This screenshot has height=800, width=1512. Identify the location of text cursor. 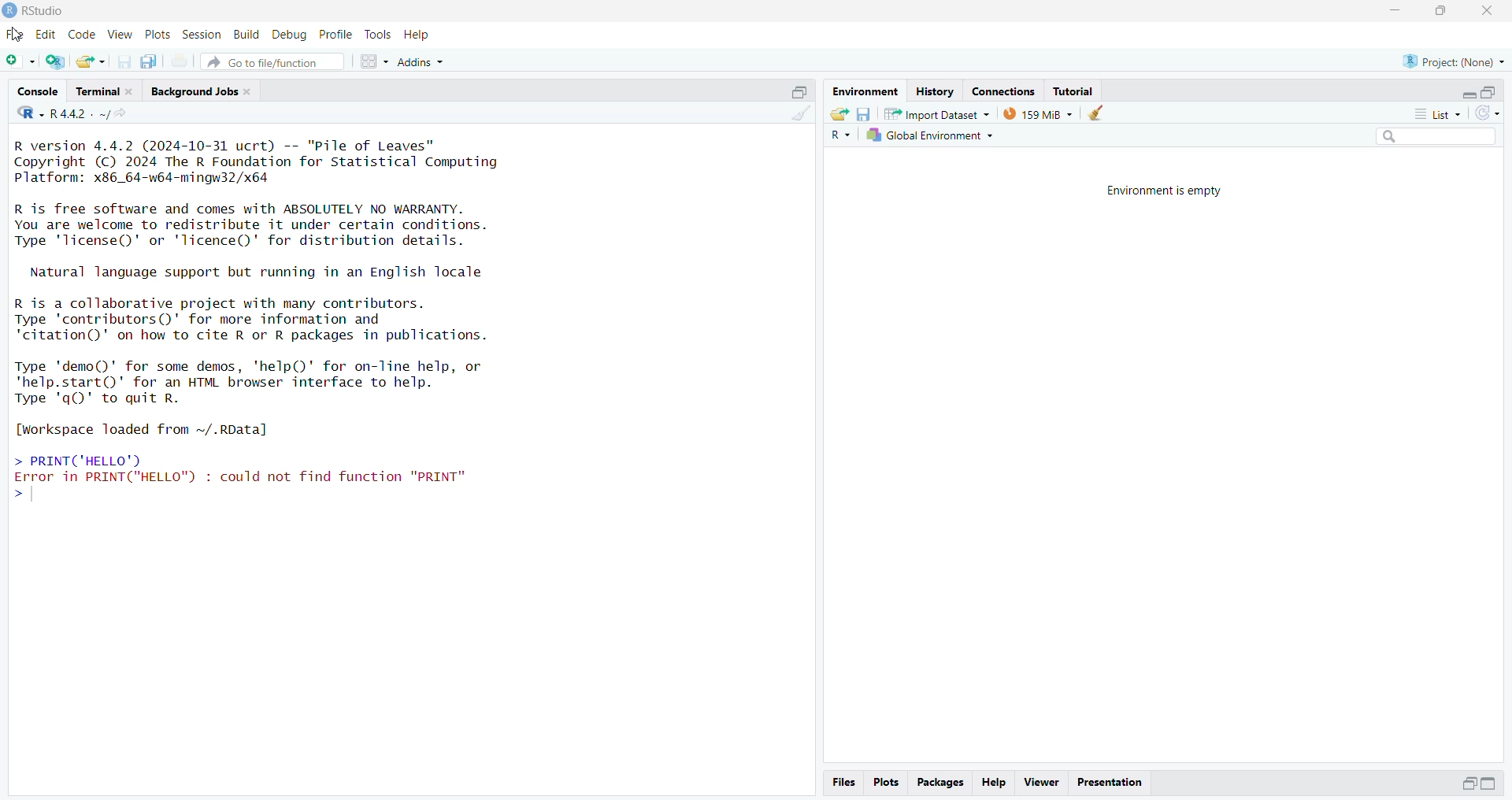
(31, 495).